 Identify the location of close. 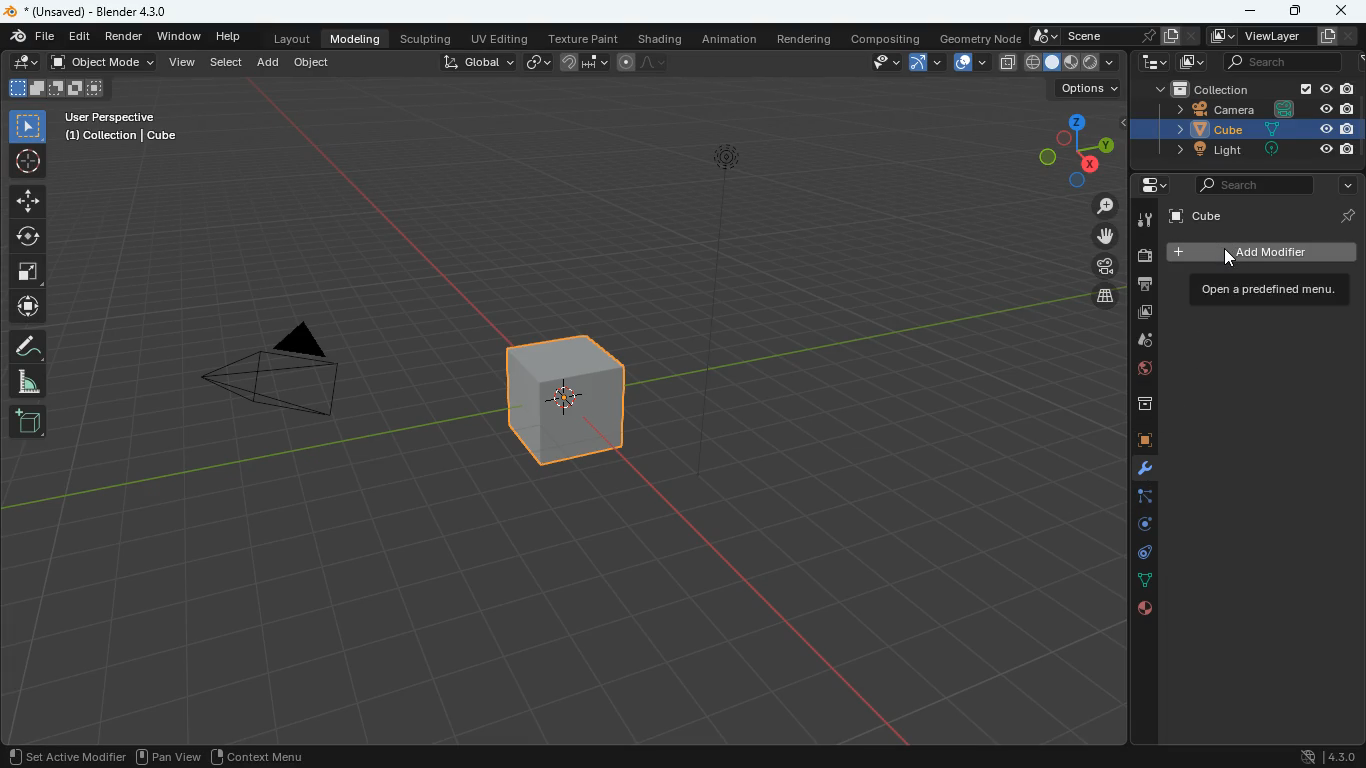
(1343, 10).